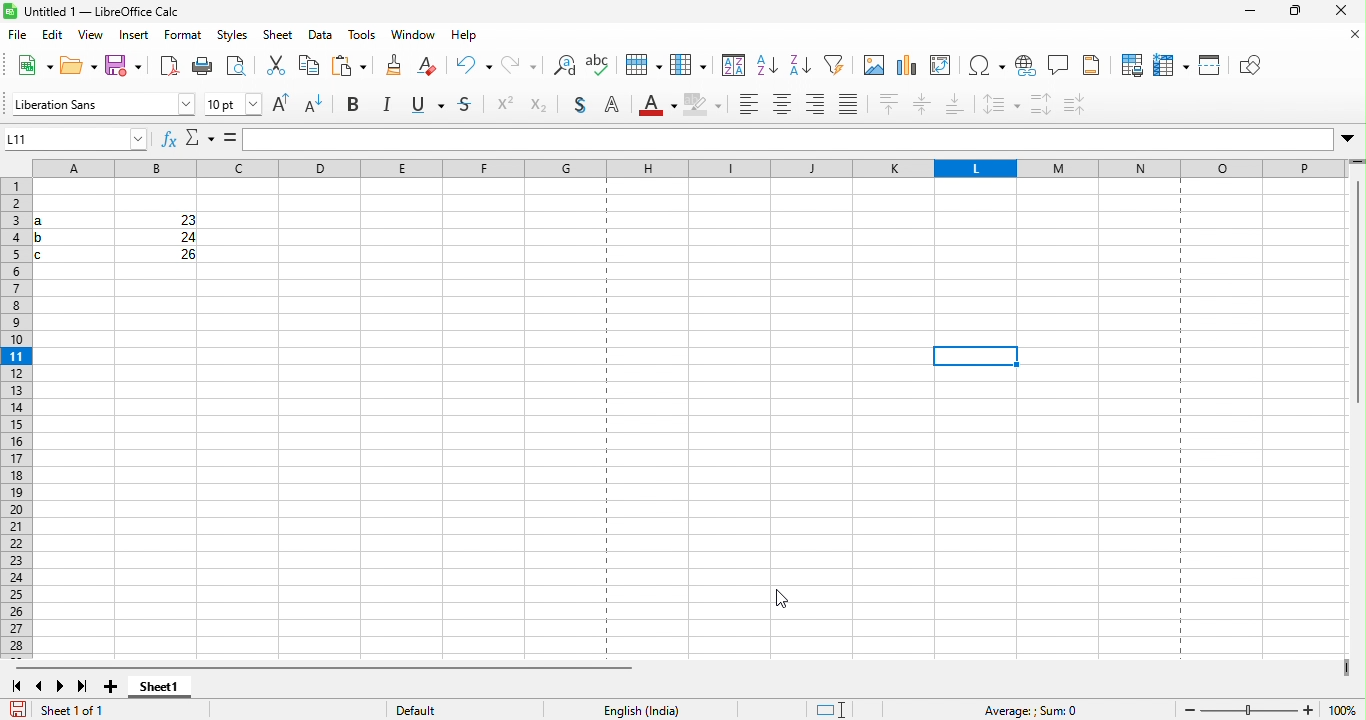 The height and width of the screenshot is (720, 1366). What do you see at coordinates (802, 137) in the screenshot?
I see `formula bar` at bounding box center [802, 137].